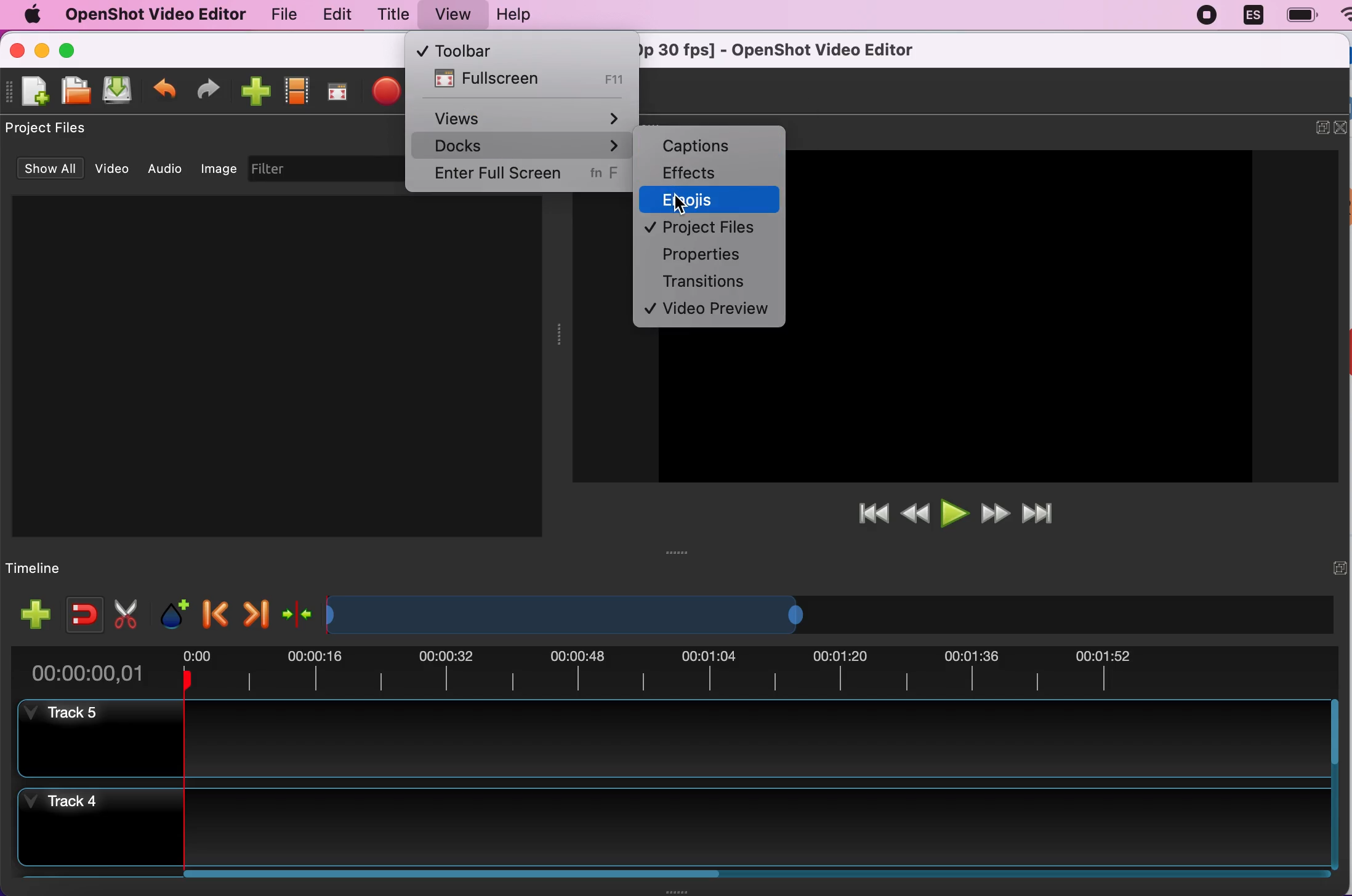 Image resolution: width=1352 pixels, height=896 pixels. Describe the element at coordinates (742, 874) in the screenshot. I see `Horizontal slide bar` at that location.